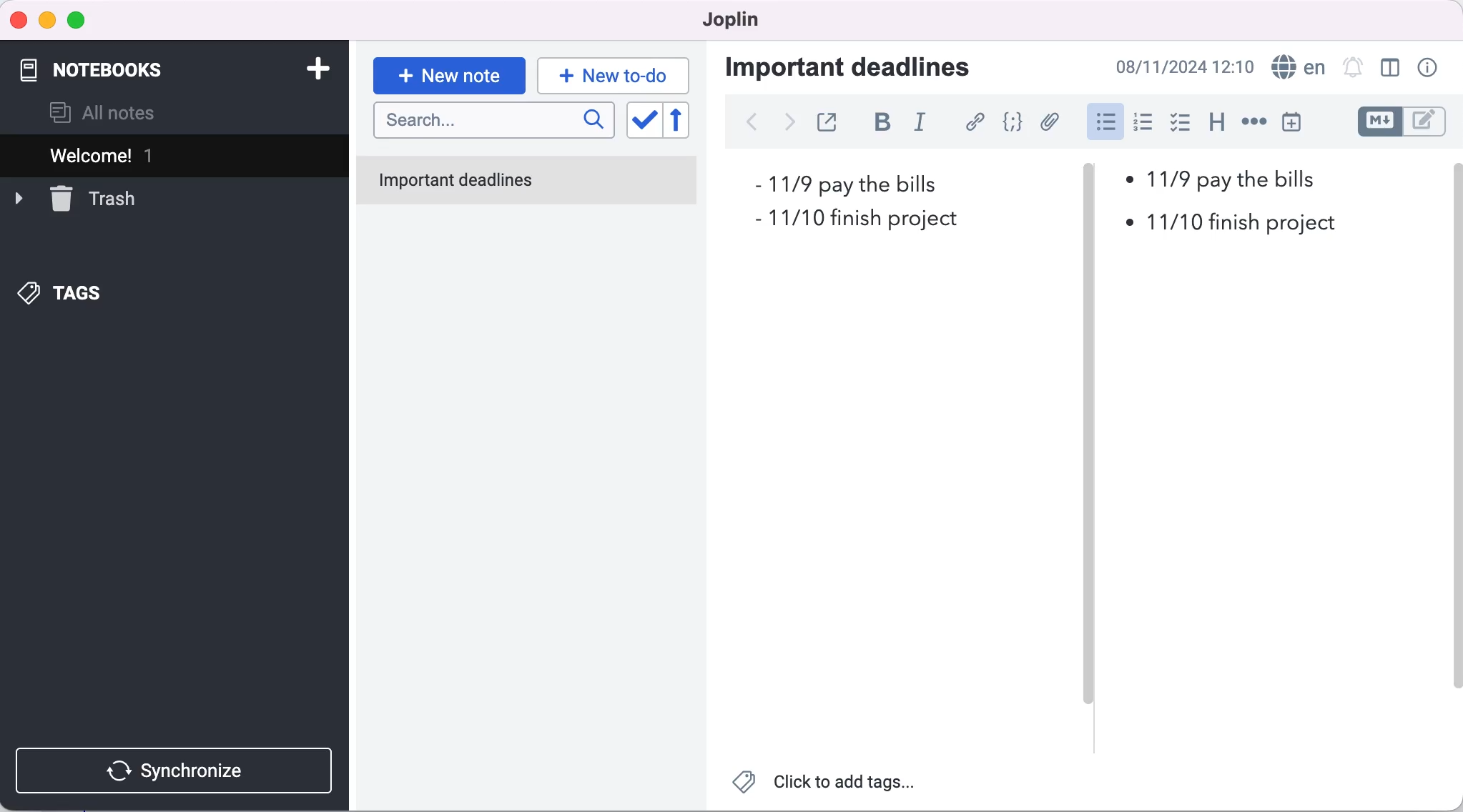 The width and height of the screenshot is (1463, 812). Describe the element at coordinates (49, 19) in the screenshot. I see `minimize` at that location.